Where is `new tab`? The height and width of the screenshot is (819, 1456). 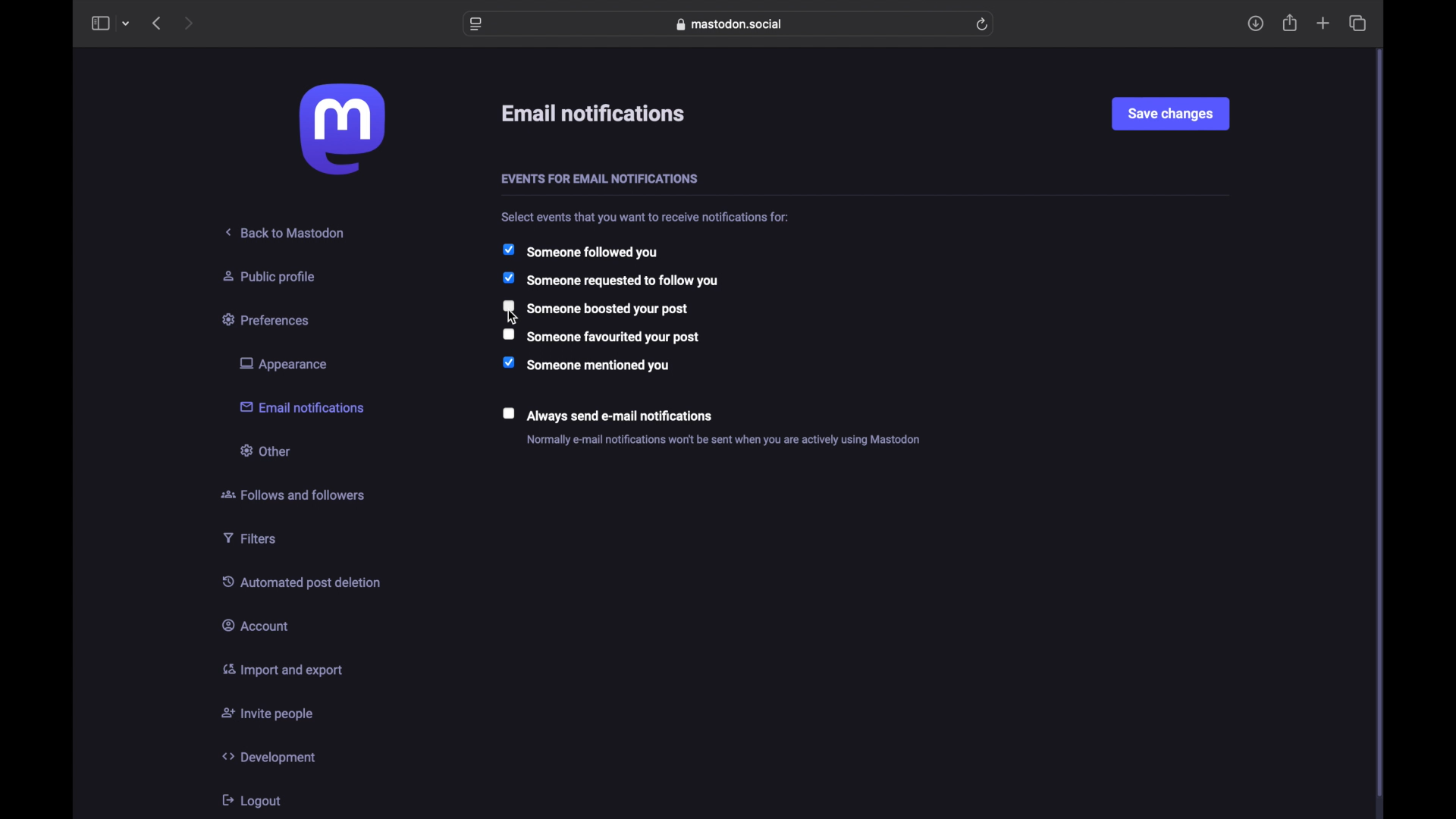 new tab is located at coordinates (1323, 24).